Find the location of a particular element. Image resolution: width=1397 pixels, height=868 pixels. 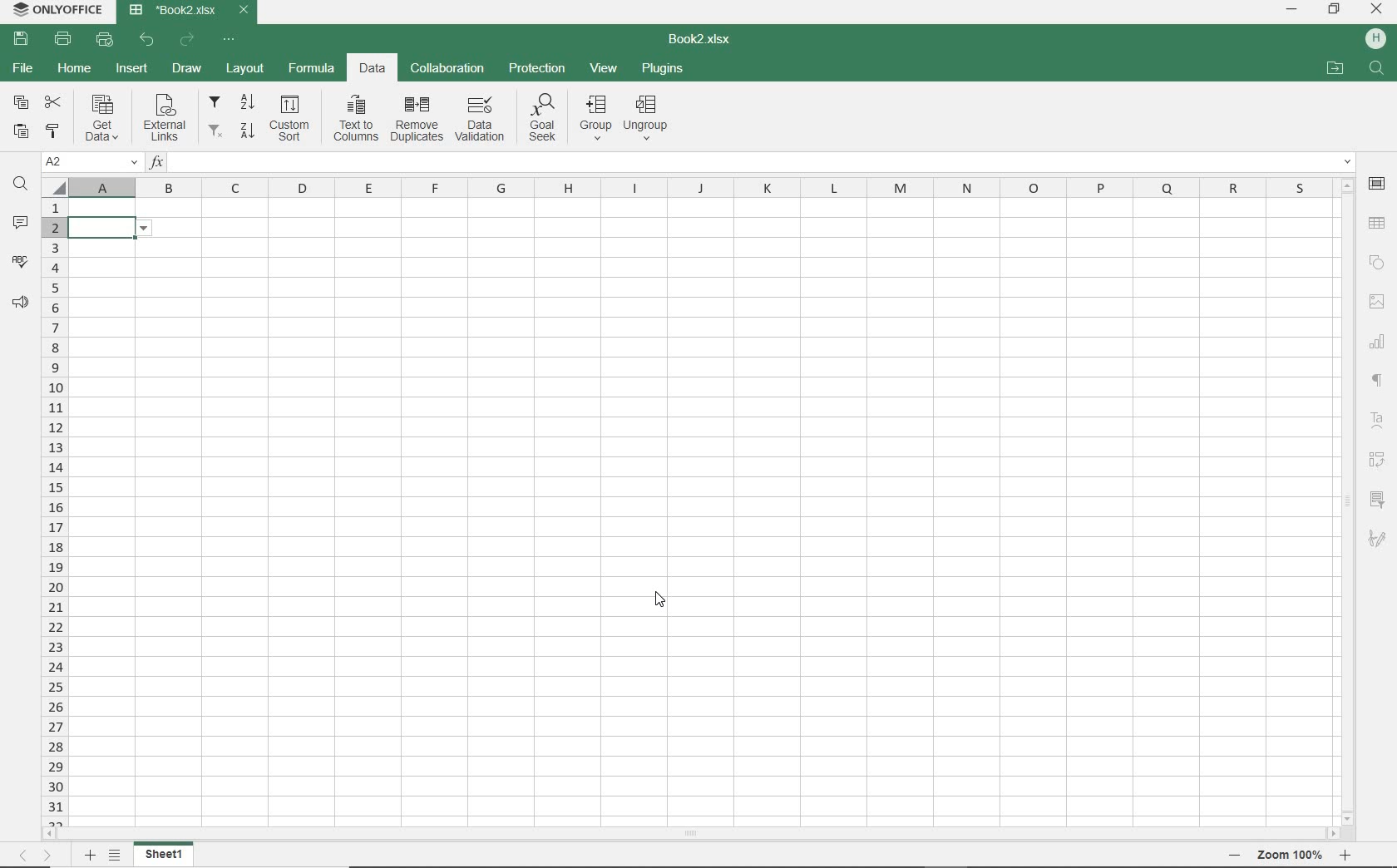

PROTECTION is located at coordinates (536, 70).